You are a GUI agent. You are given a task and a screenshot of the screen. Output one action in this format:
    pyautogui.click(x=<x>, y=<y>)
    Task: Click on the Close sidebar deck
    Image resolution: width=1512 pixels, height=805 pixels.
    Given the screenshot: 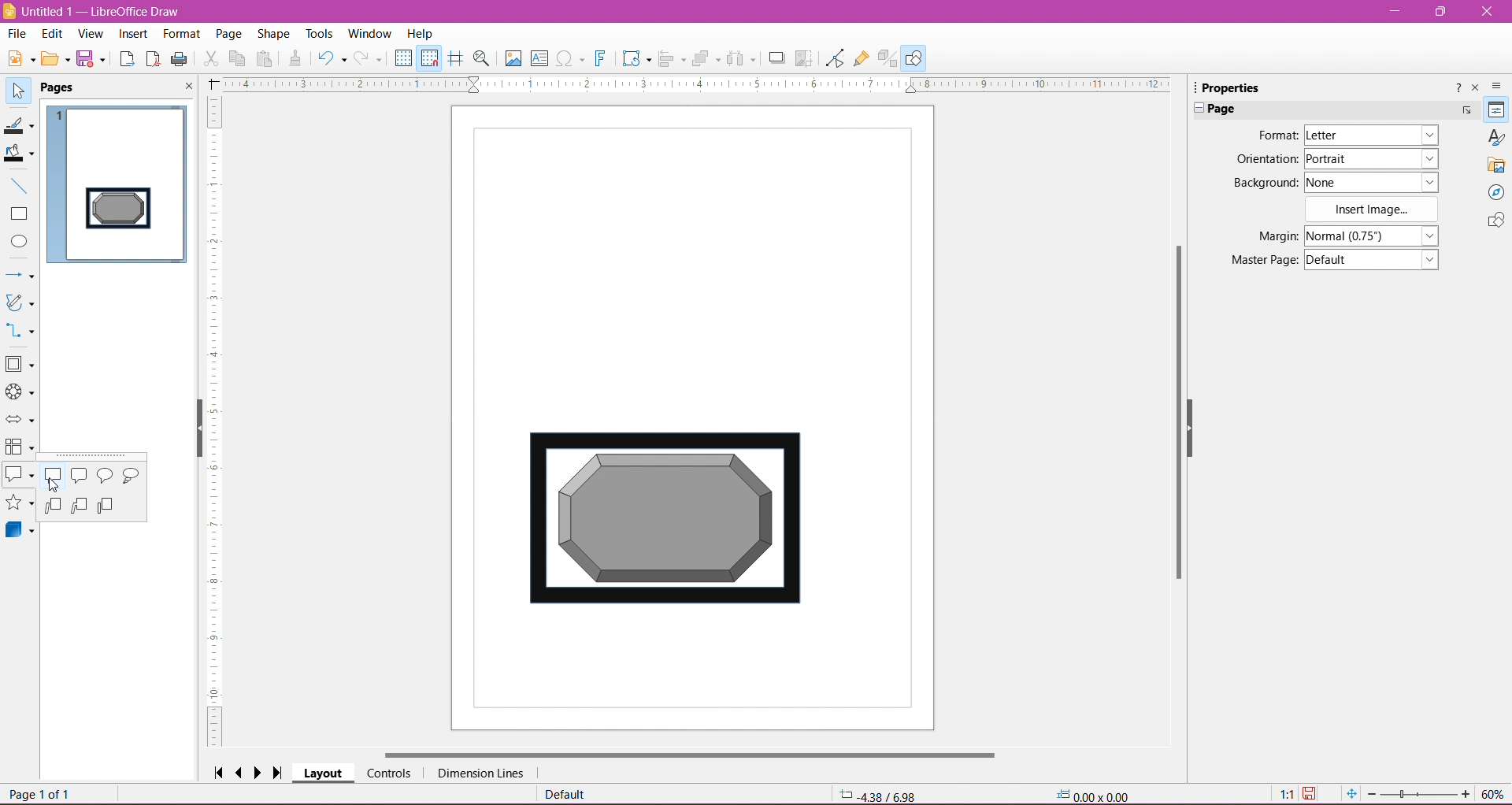 What is the action you would take?
    pyautogui.click(x=1477, y=88)
    